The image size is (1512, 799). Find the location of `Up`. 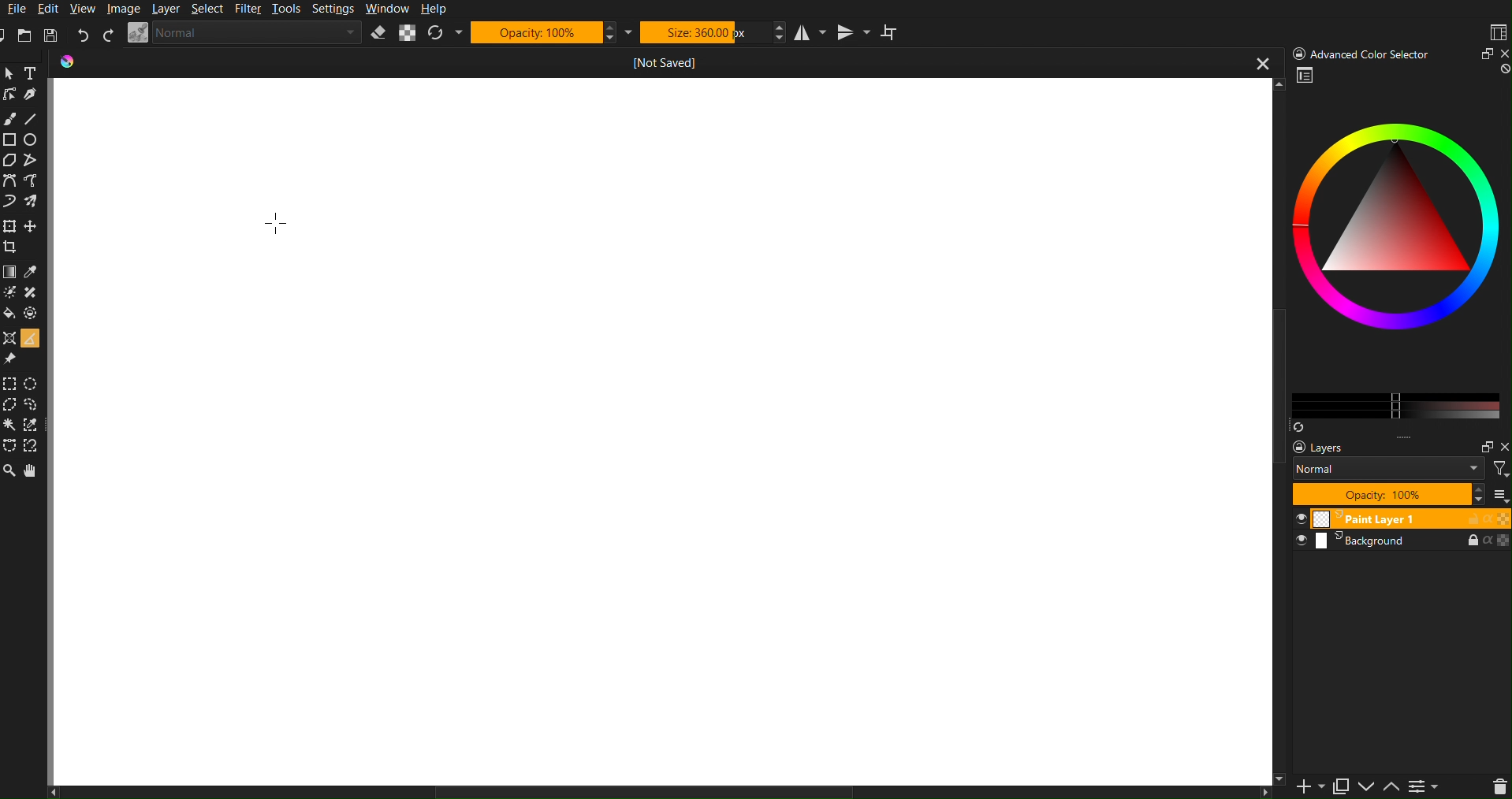

Up is located at coordinates (1396, 786).